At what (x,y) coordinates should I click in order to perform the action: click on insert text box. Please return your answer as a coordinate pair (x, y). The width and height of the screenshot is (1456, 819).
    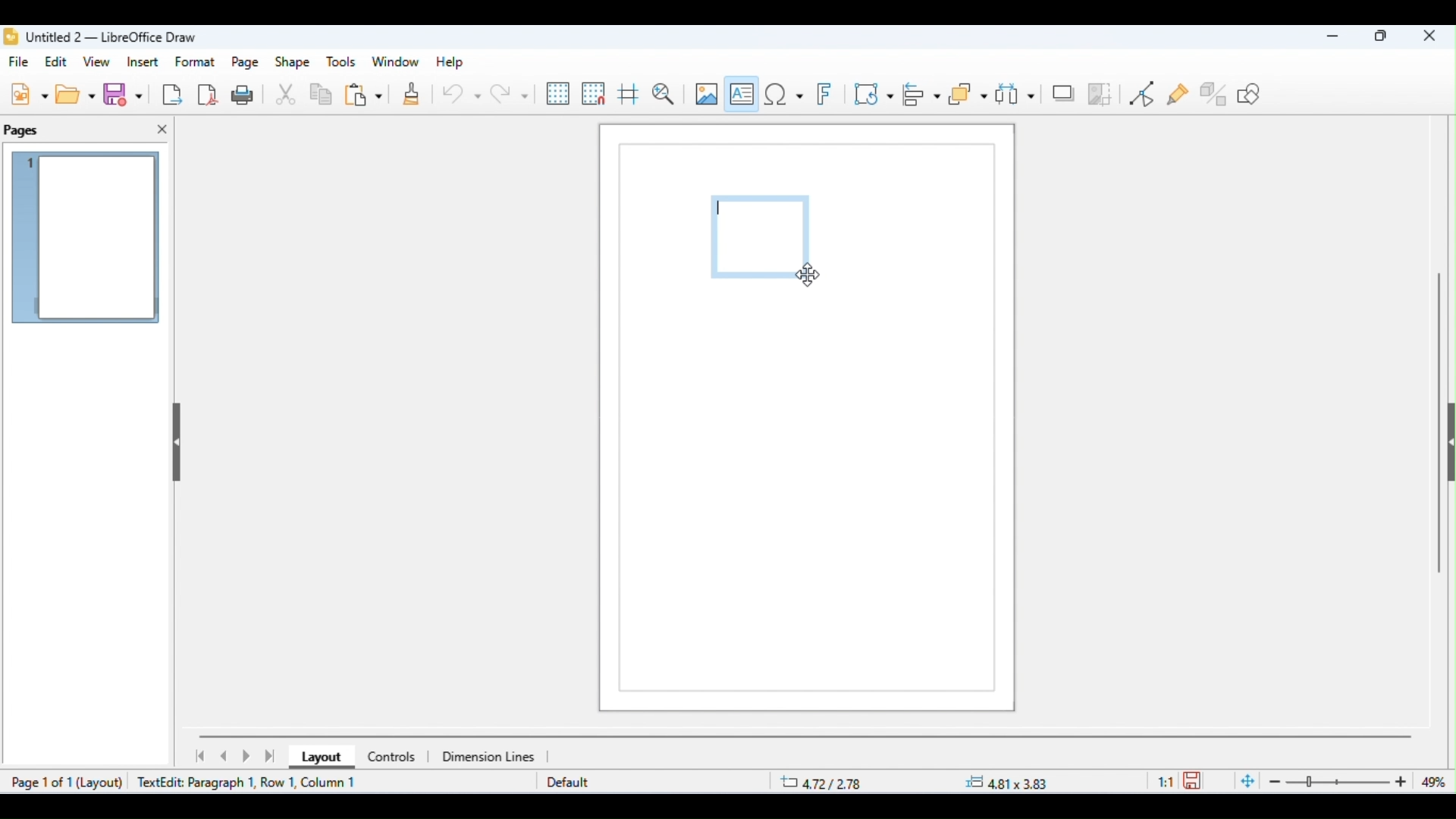
    Looking at the image, I should click on (742, 91).